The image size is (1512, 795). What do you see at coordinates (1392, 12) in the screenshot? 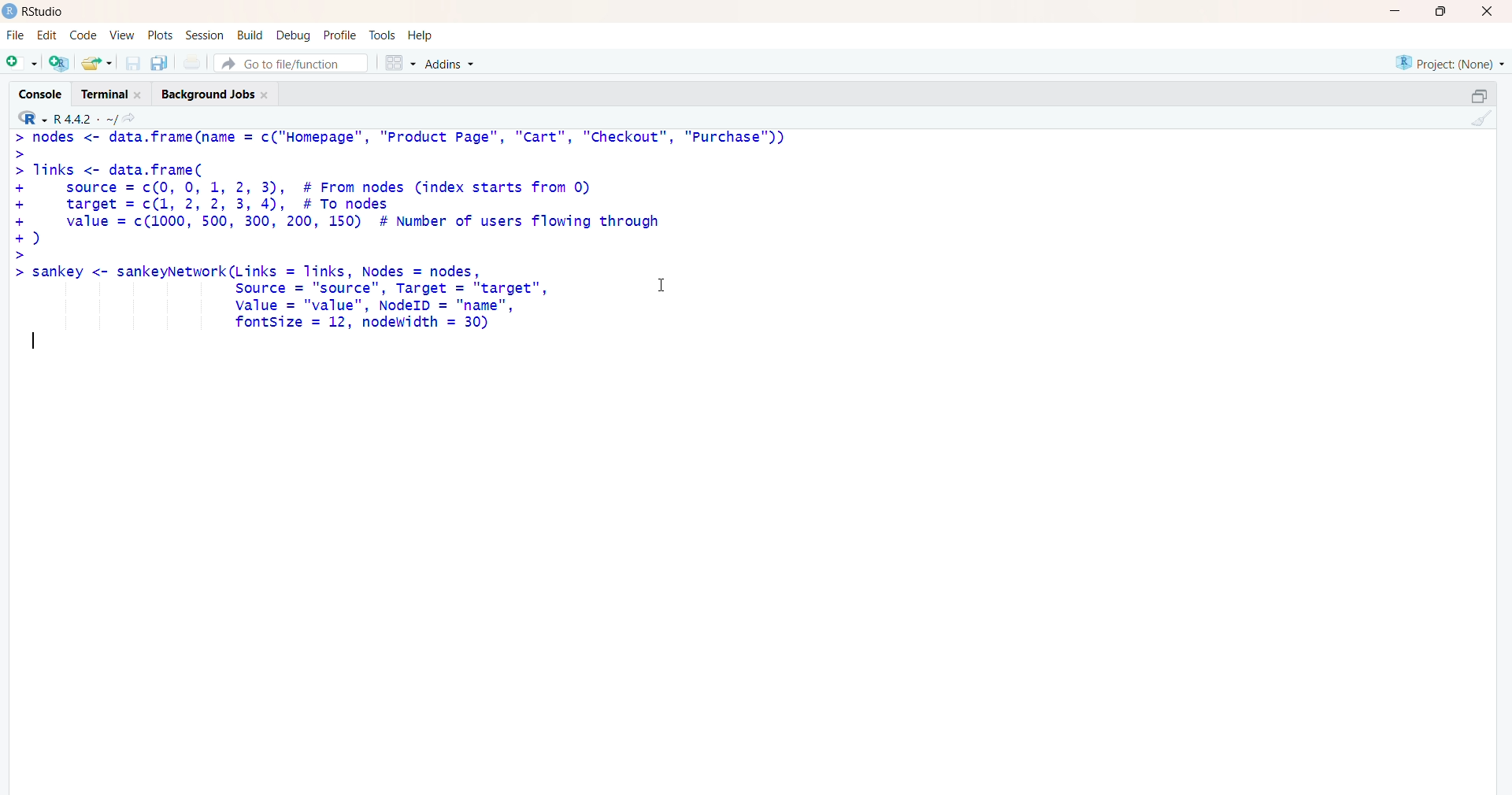
I see `minimize` at bounding box center [1392, 12].